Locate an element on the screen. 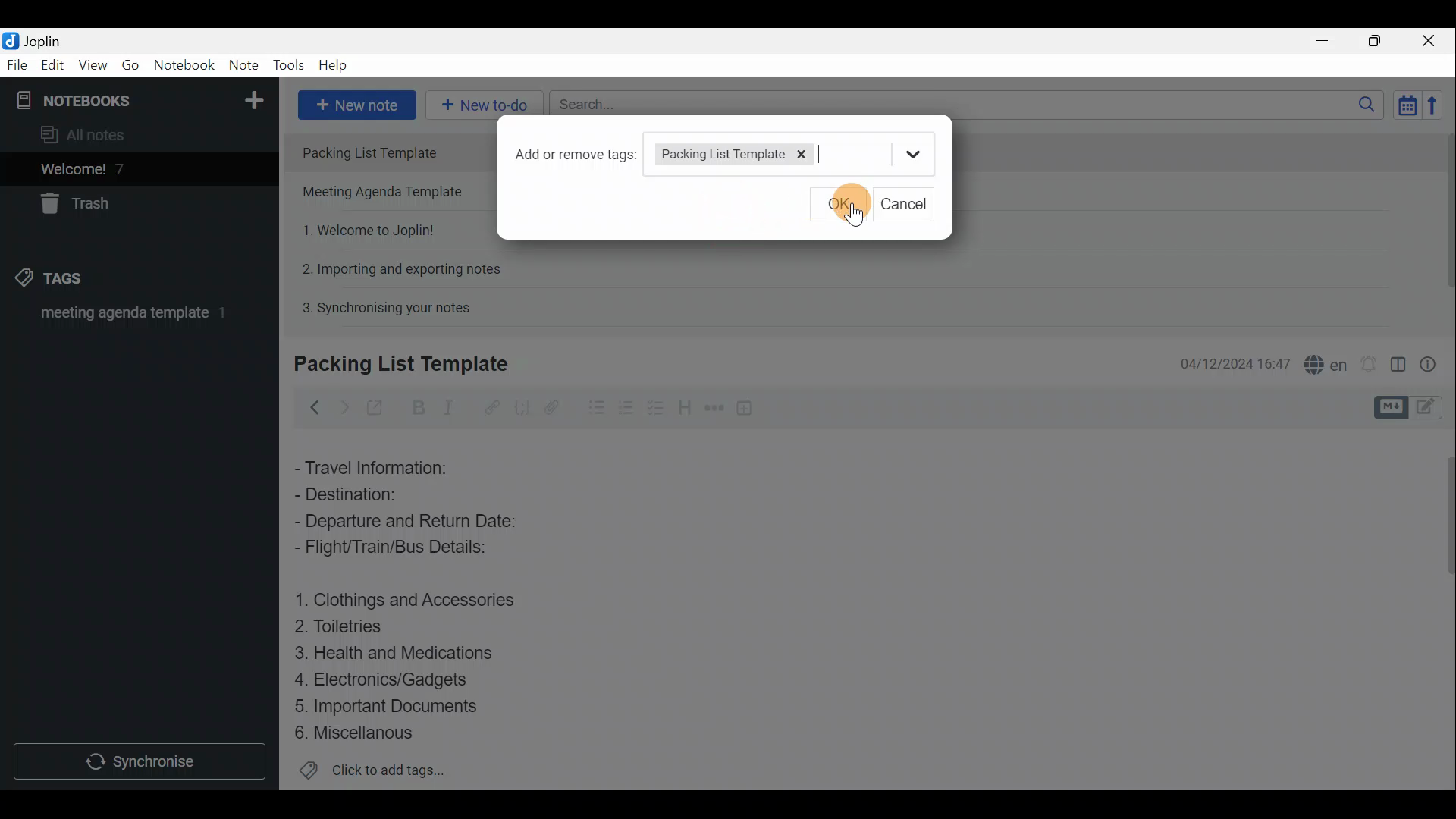  Reverse sort order is located at coordinates (1438, 104).